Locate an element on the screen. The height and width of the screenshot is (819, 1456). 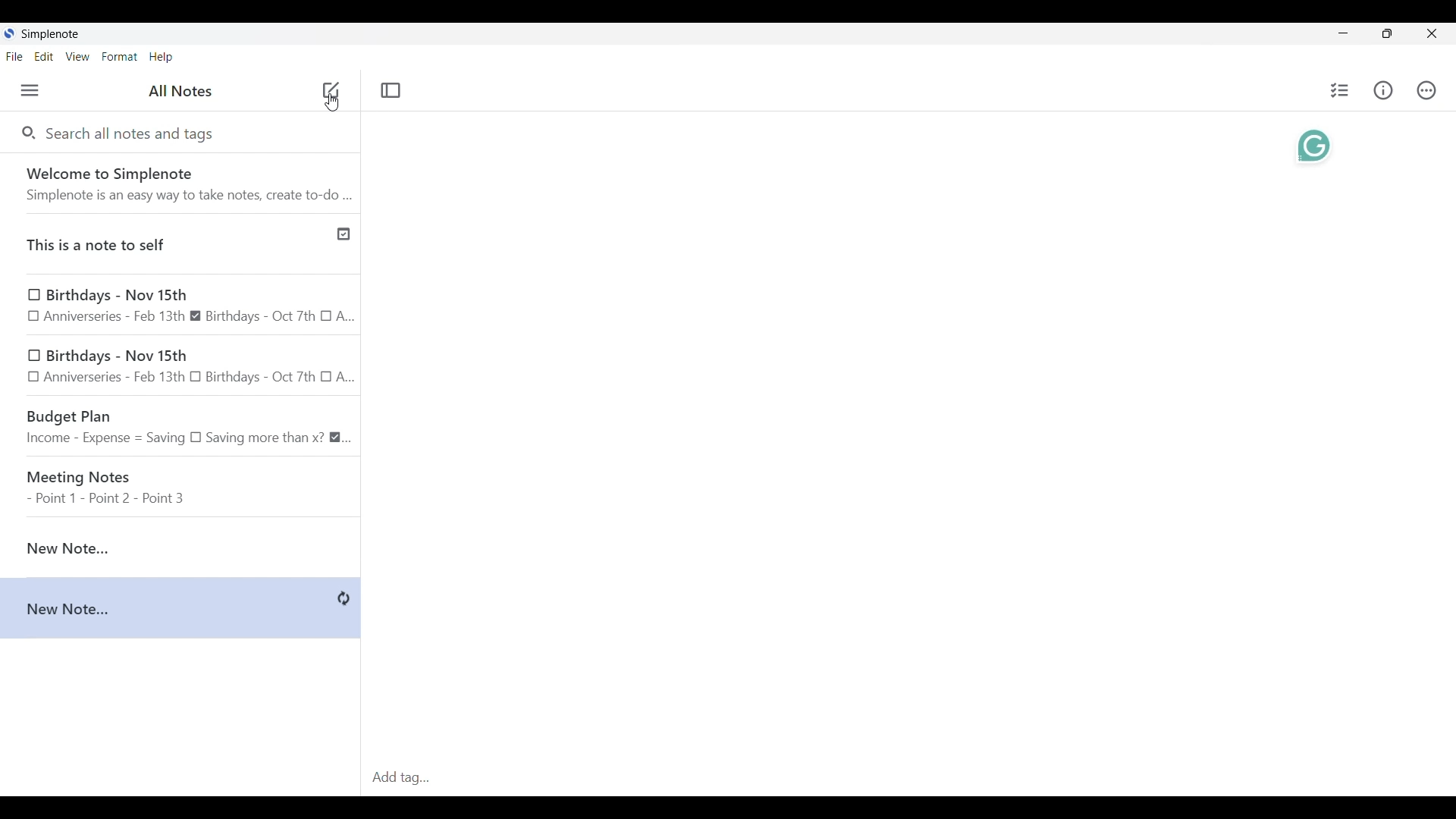
Minimize is located at coordinates (1343, 33).